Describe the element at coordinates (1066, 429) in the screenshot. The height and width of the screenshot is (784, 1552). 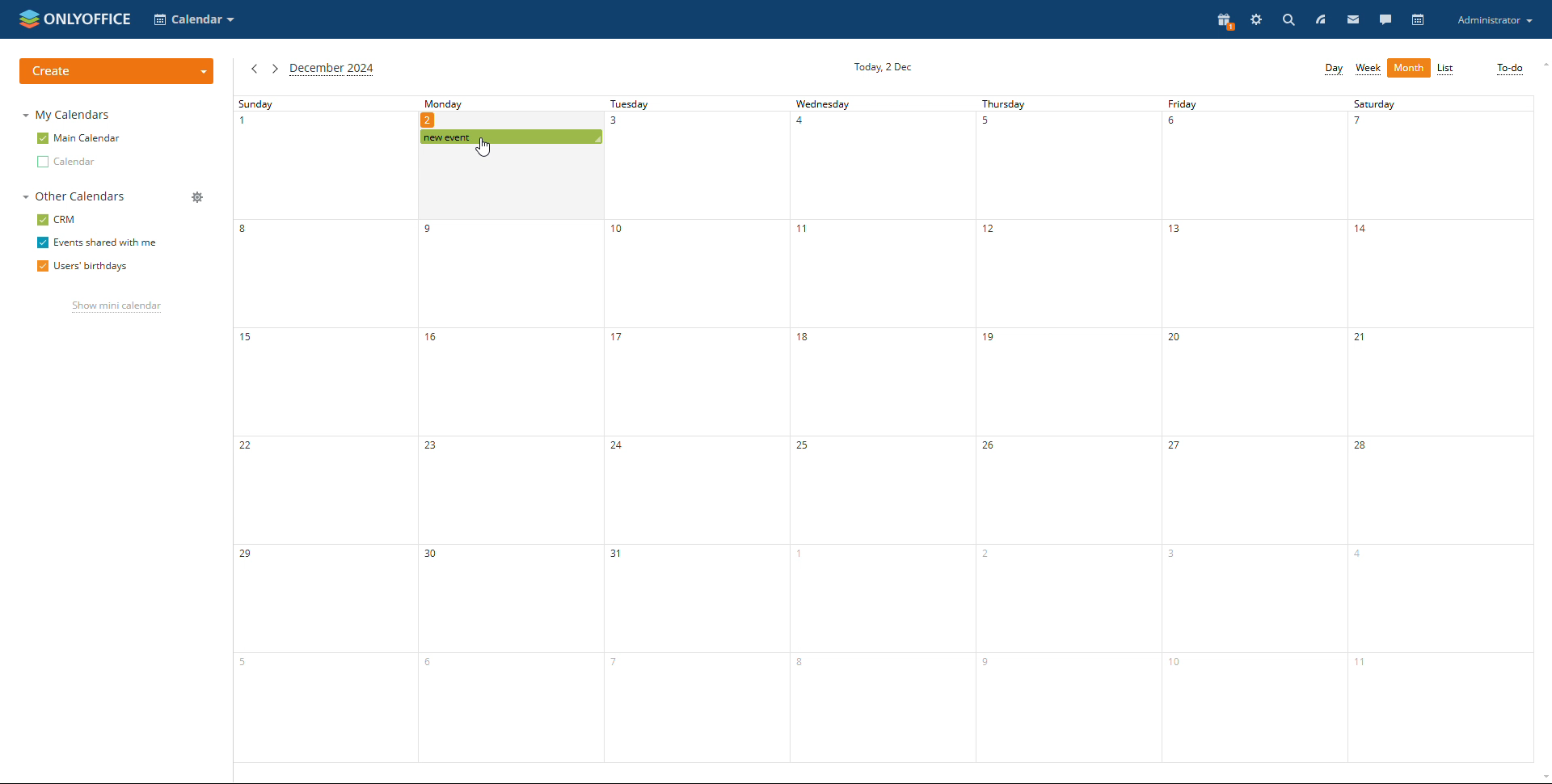
I see `thursday` at that location.